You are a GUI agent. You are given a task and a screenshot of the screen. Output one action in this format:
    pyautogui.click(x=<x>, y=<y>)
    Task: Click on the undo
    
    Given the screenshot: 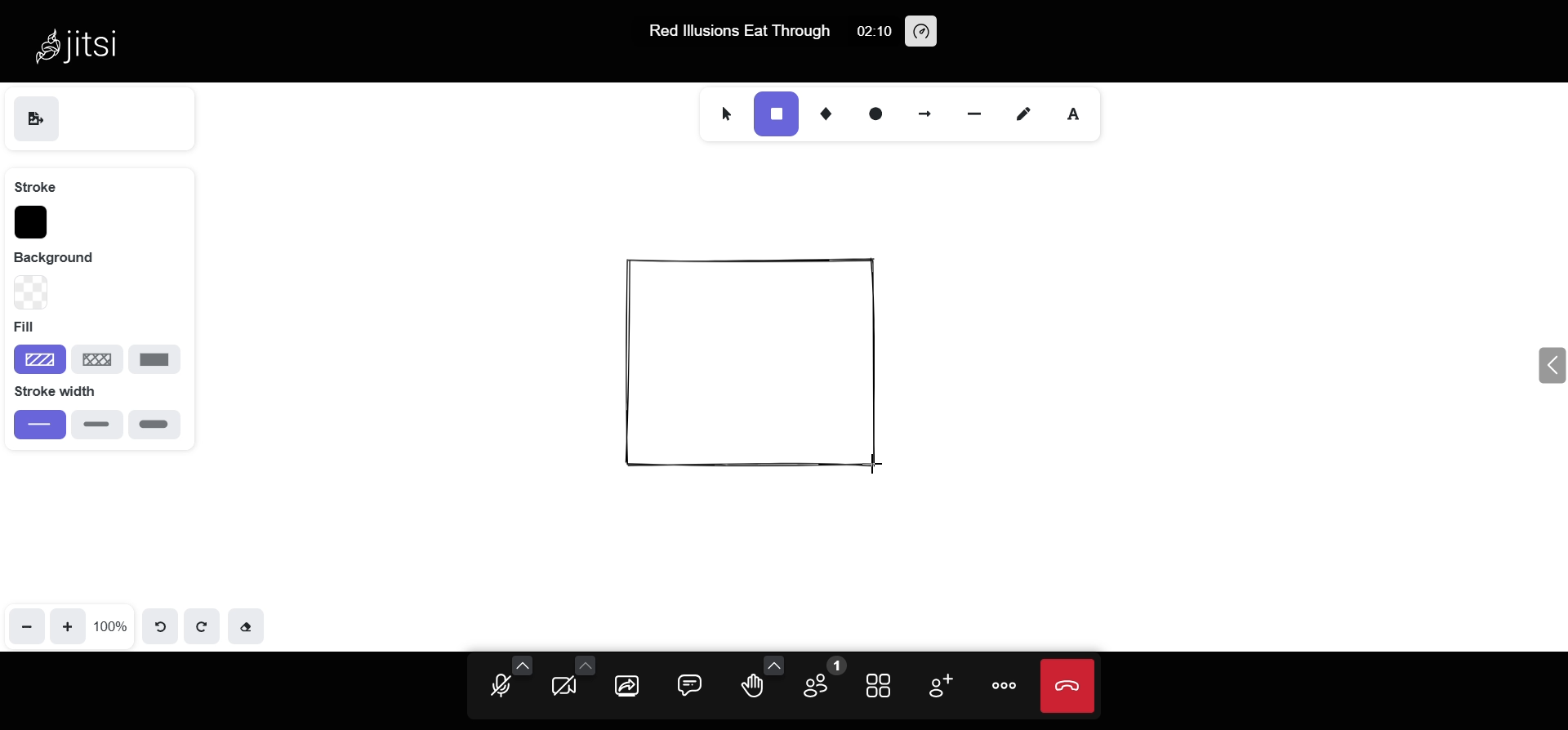 What is the action you would take?
    pyautogui.click(x=165, y=625)
    